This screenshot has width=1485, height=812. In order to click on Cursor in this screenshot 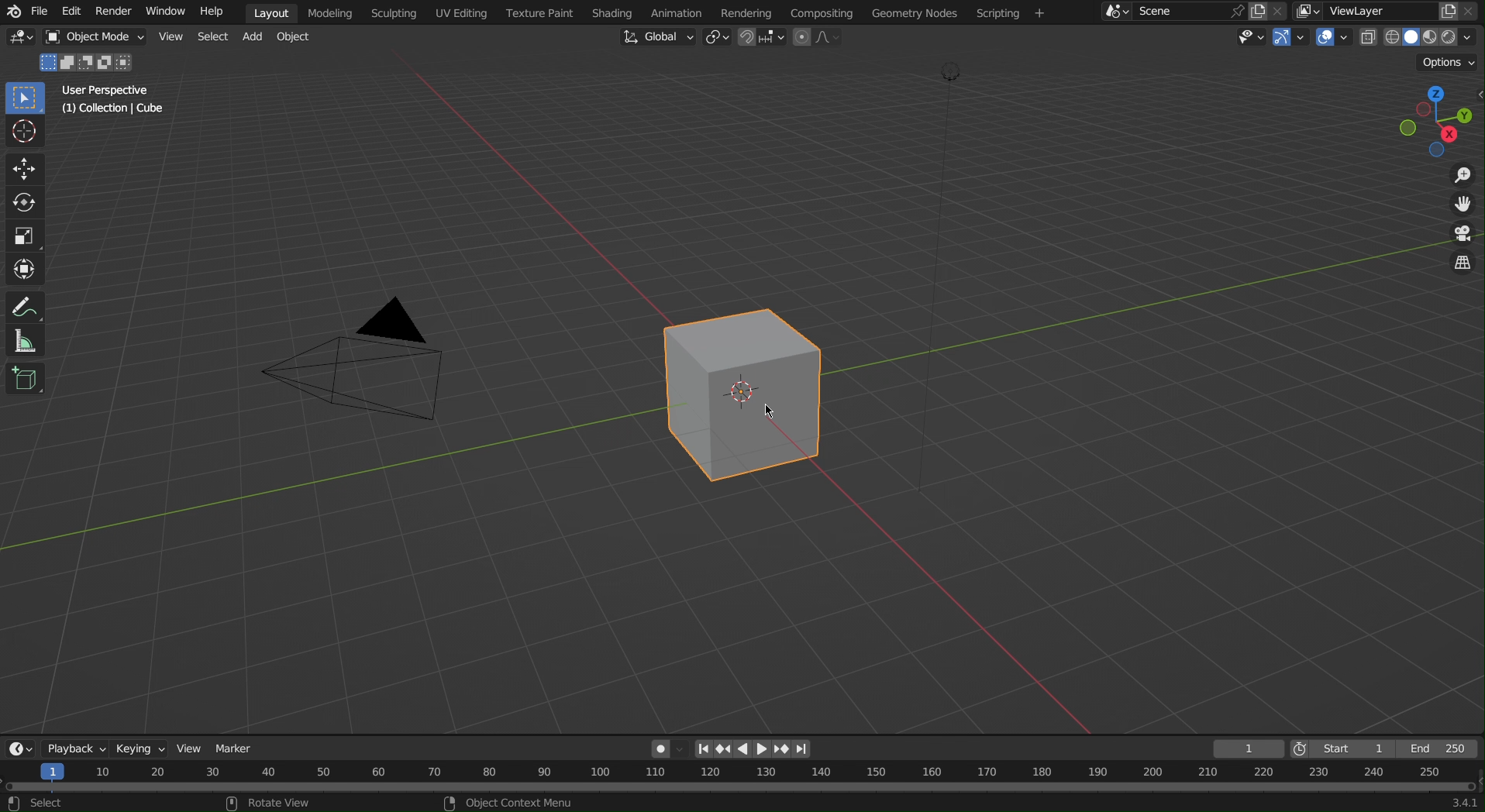, I will do `click(23, 134)`.